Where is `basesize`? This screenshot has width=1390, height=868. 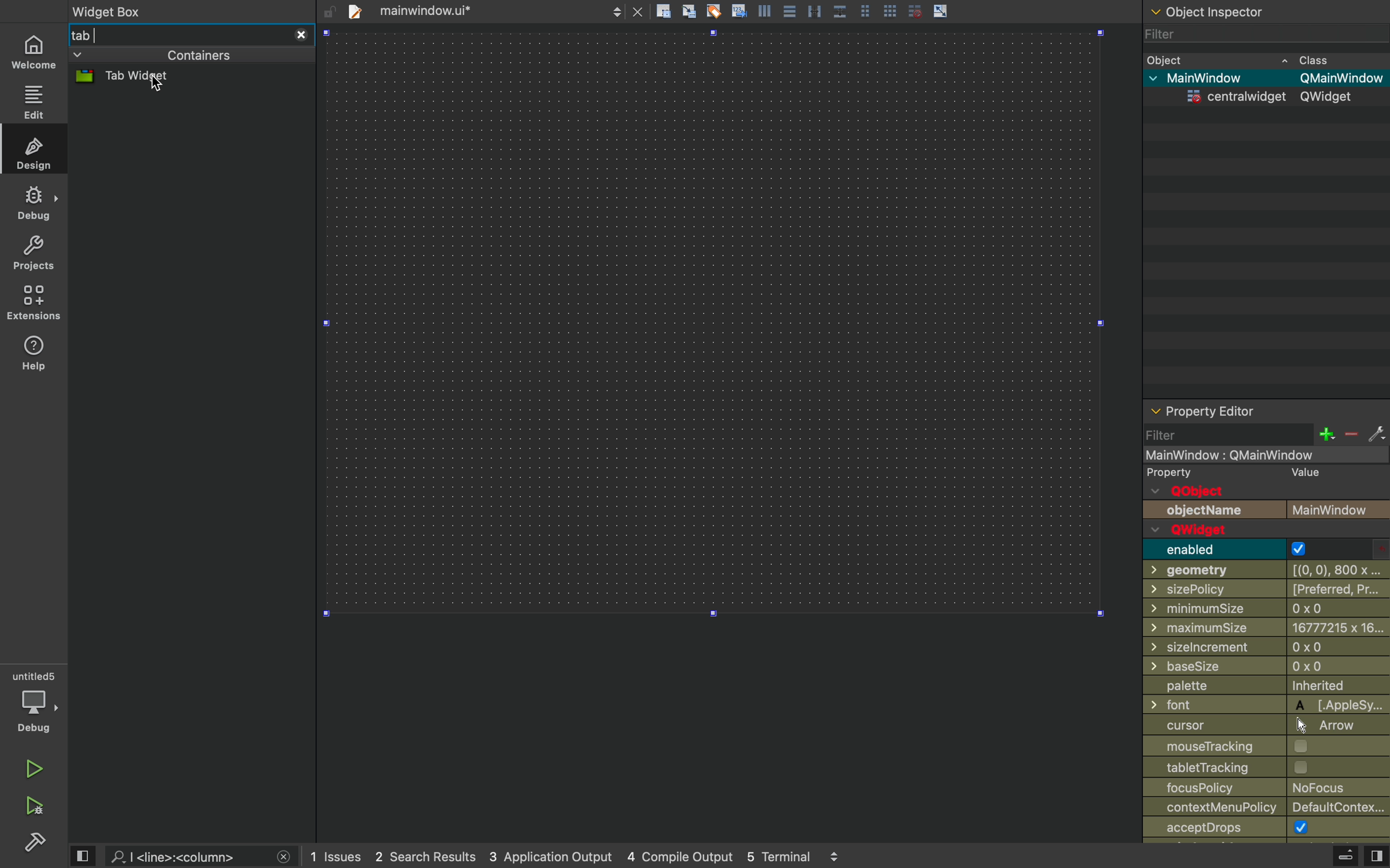
basesize is located at coordinates (1268, 669).